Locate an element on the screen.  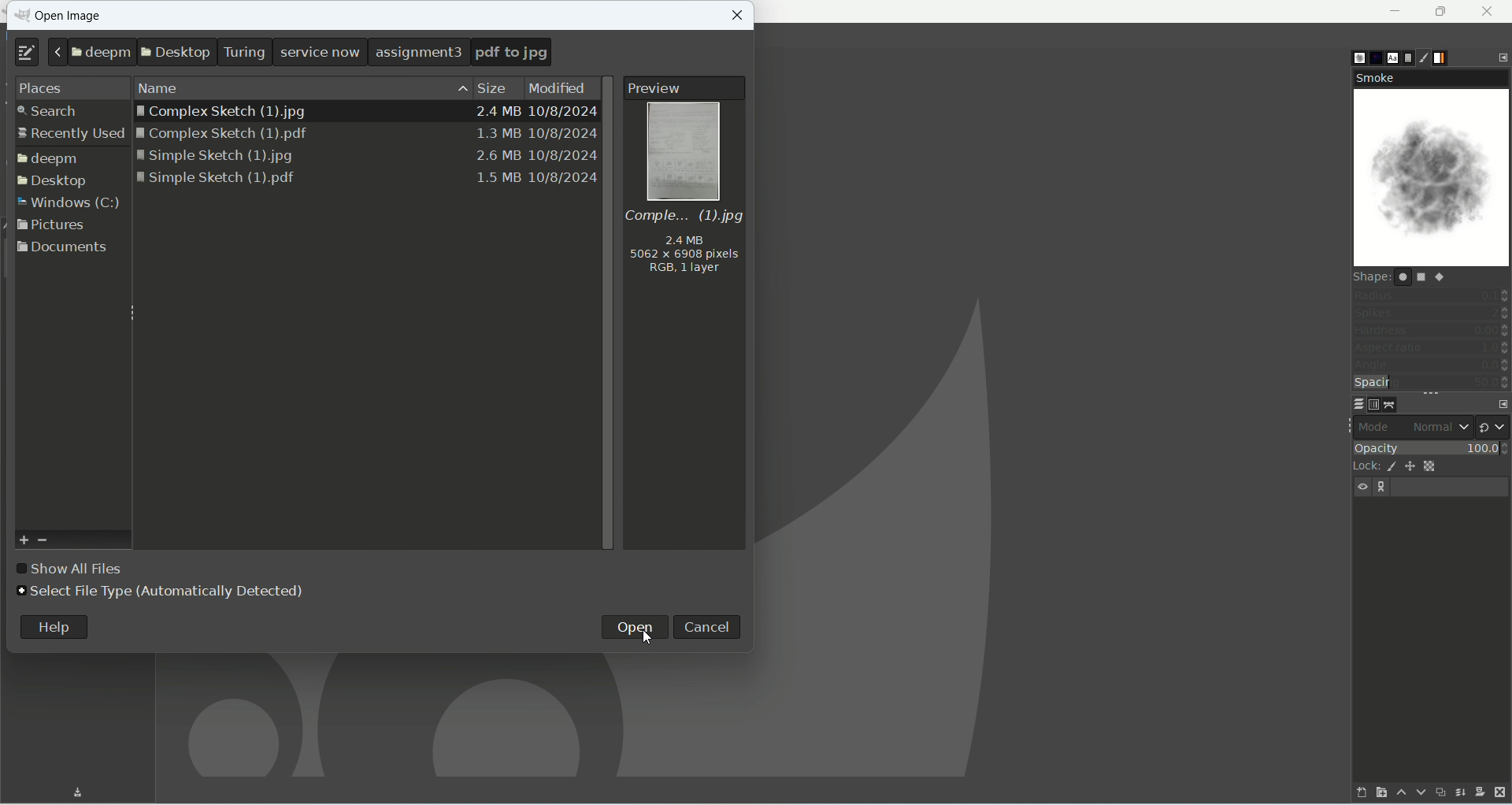
logo is located at coordinates (20, 15).